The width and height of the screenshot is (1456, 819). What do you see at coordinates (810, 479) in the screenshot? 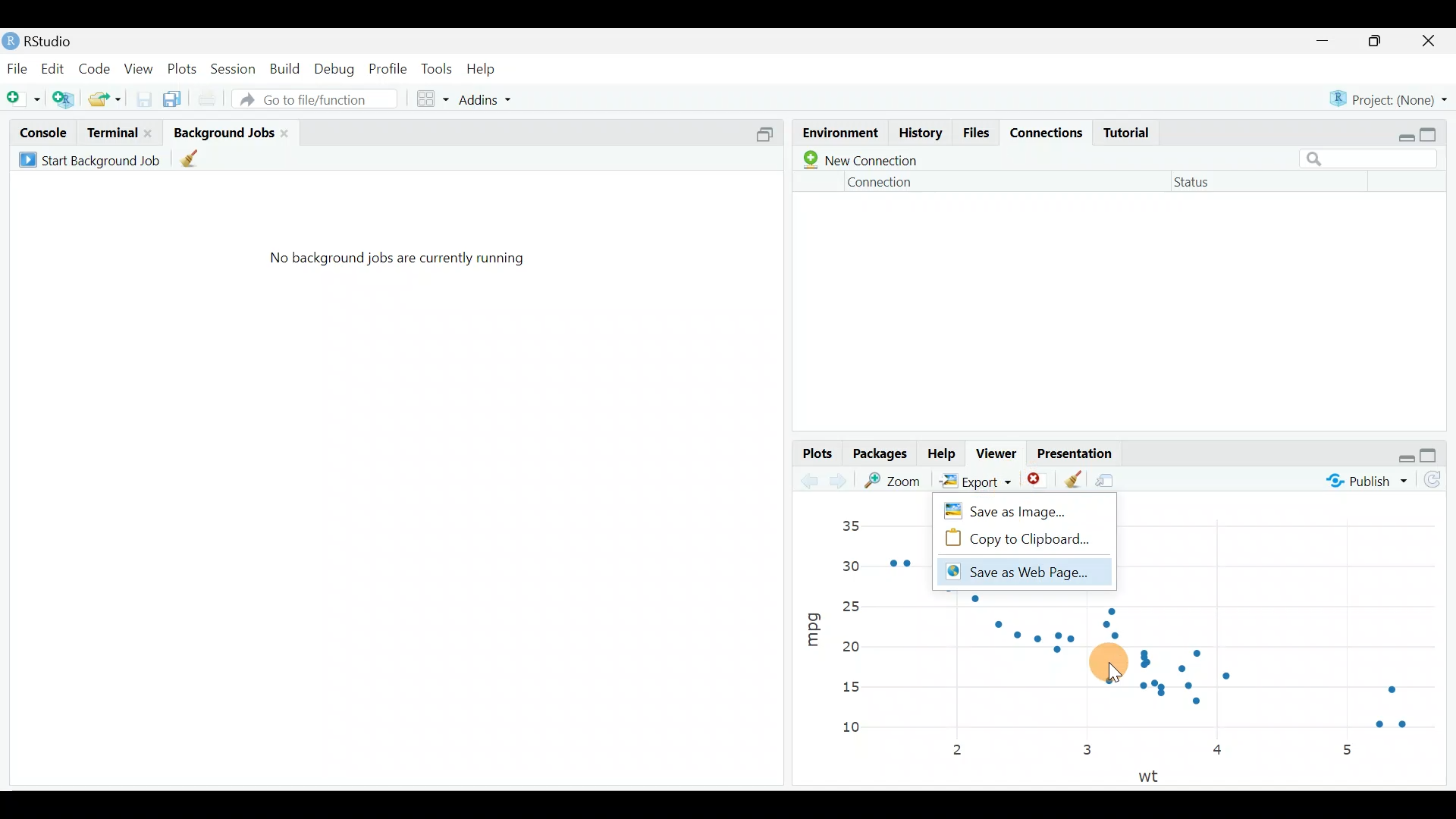
I see `Go back` at bounding box center [810, 479].